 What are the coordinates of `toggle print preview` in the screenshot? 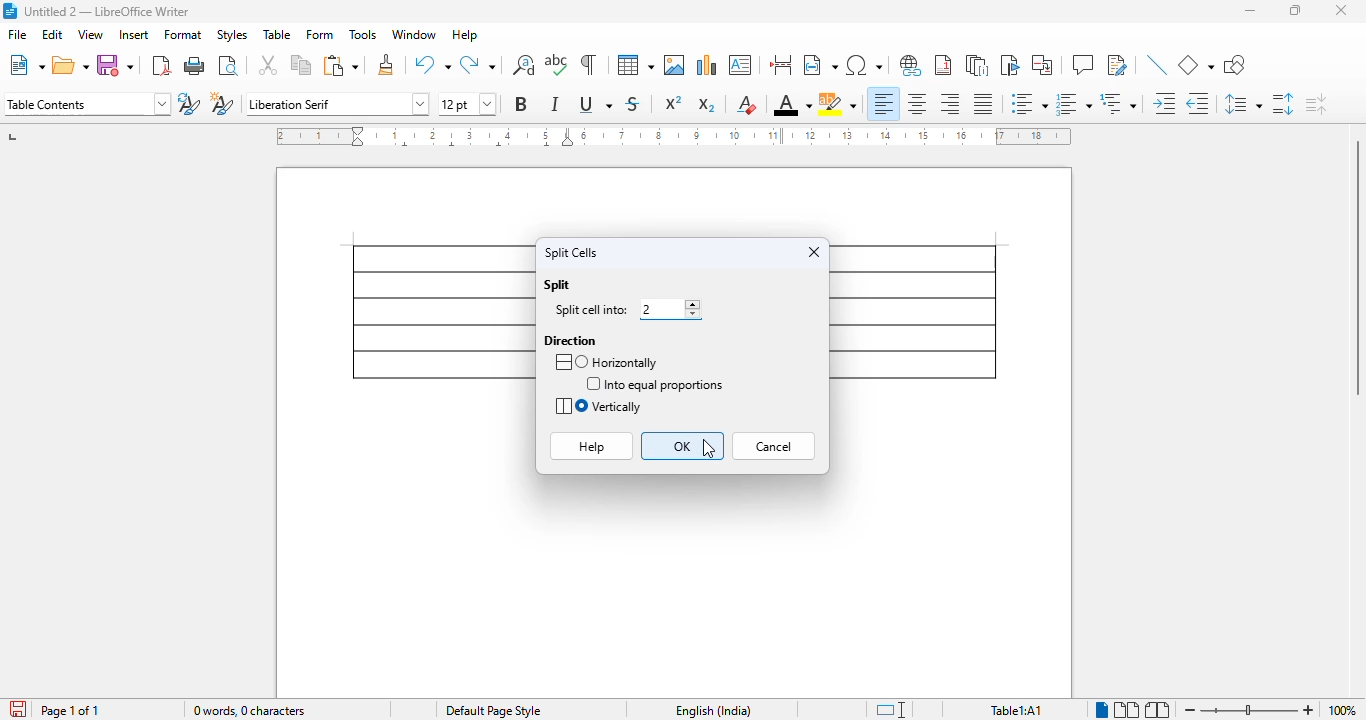 It's located at (227, 66).